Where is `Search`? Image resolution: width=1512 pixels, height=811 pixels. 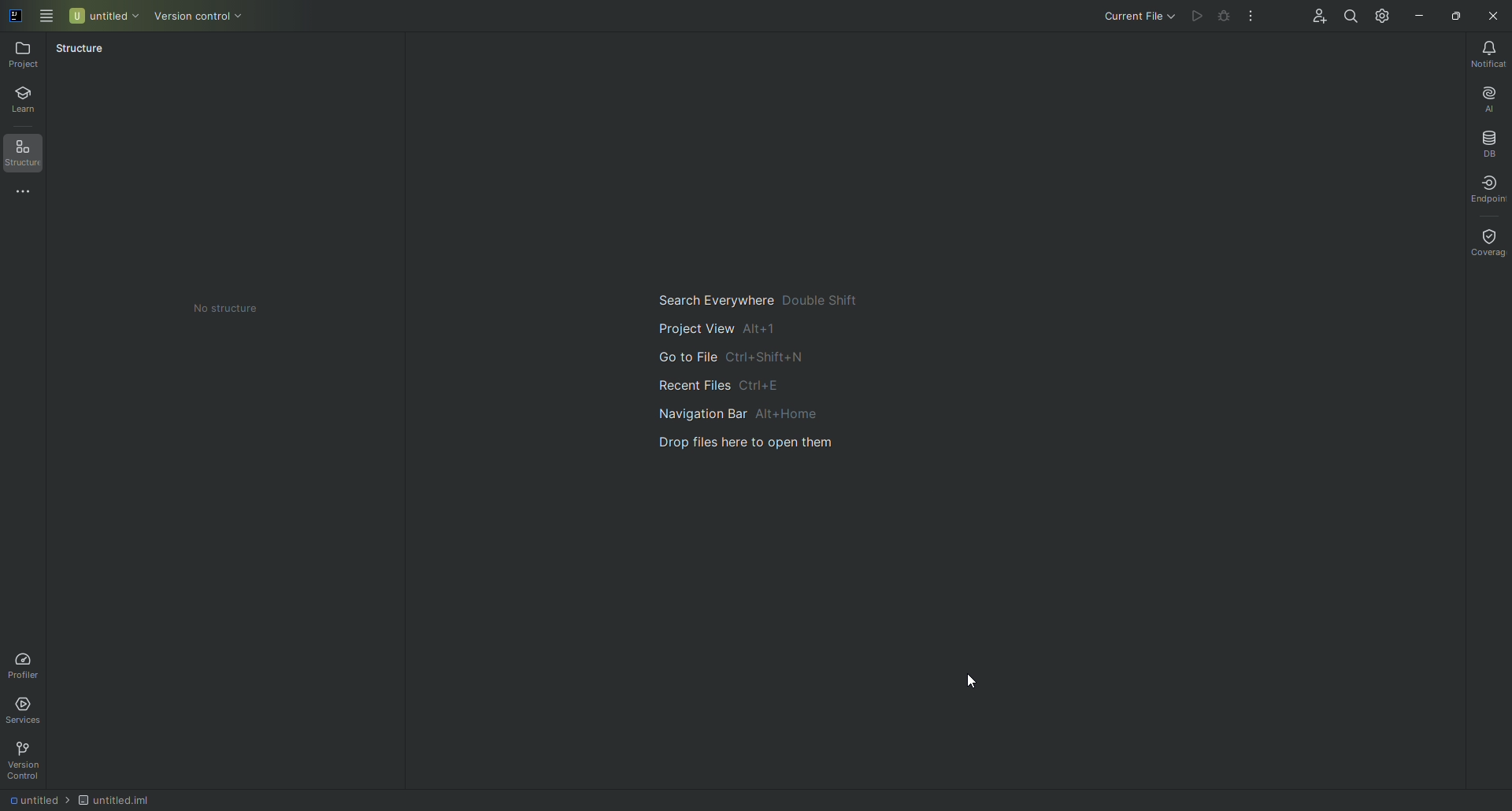
Search is located at coordinates (1351, 17).